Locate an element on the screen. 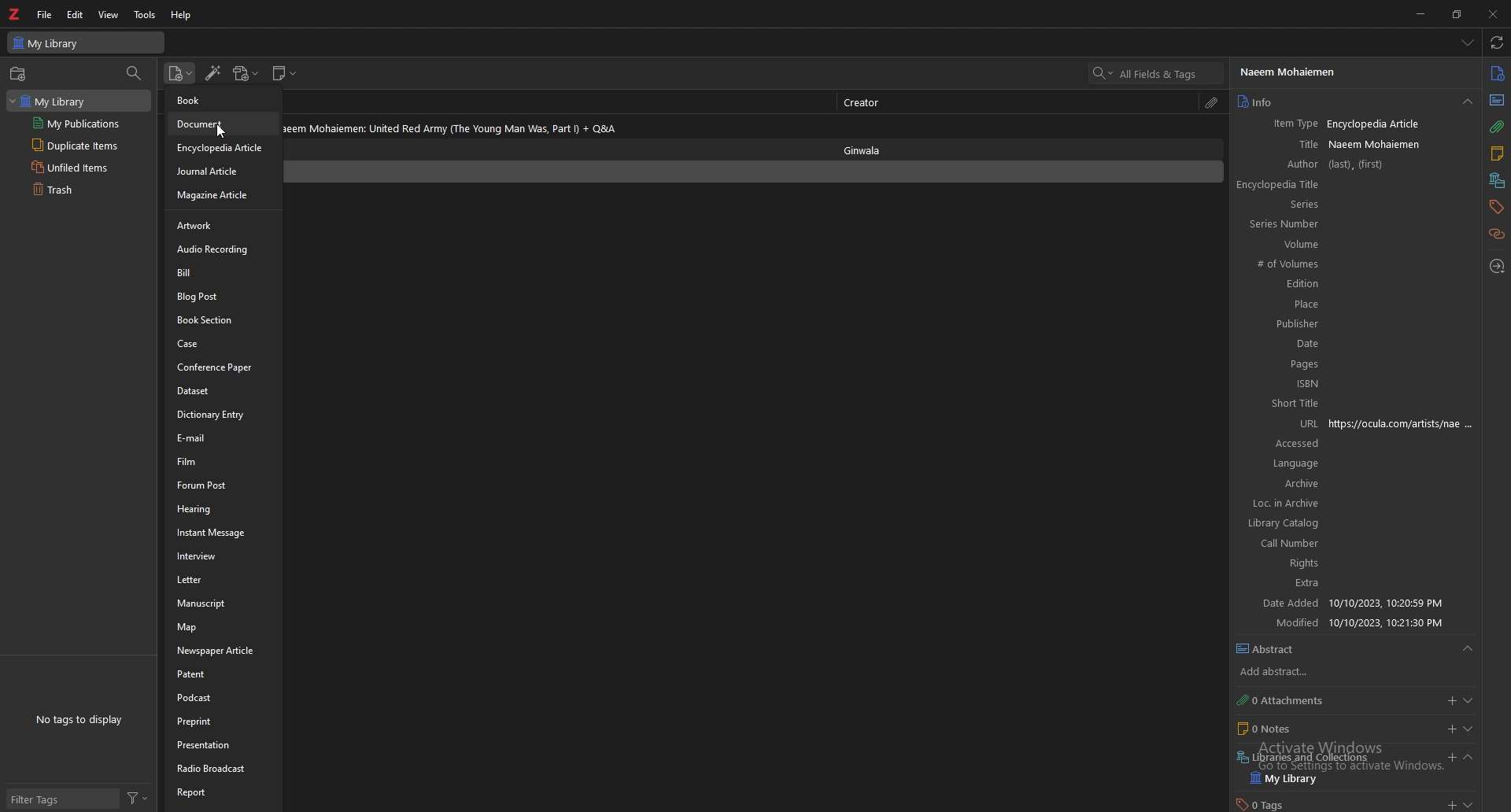 The height and width of the screenshot is (812, 1511). libraries and collections is located at coordinates (1498, 180).